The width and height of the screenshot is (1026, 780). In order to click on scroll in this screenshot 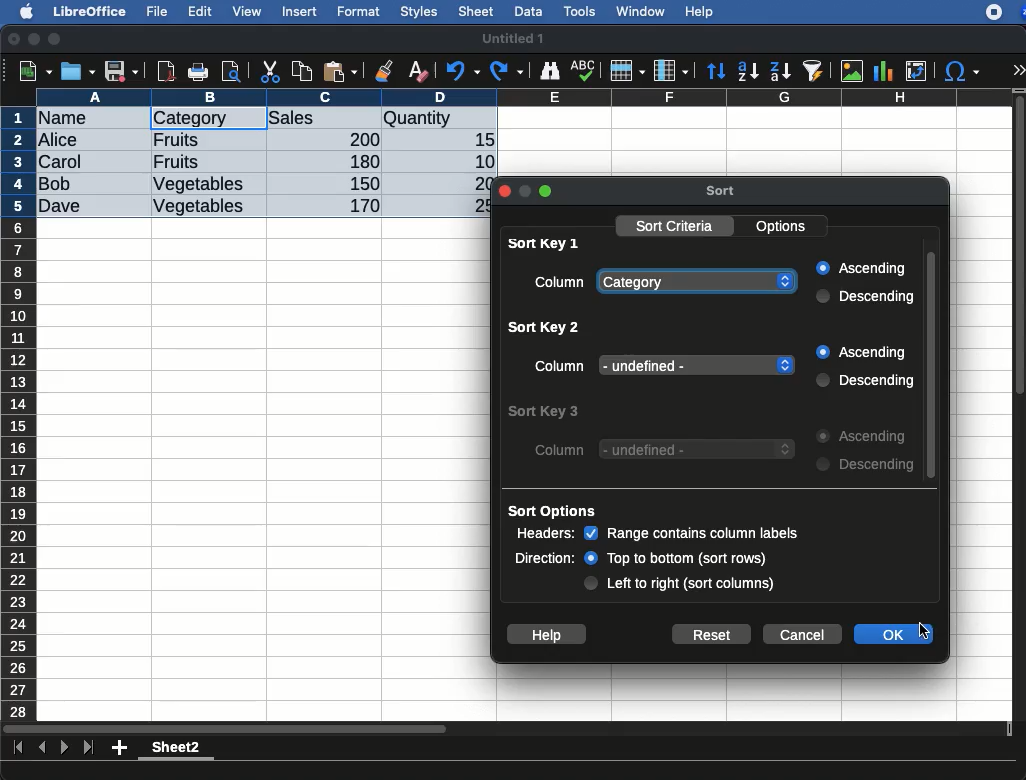, I will do `click(1021, 404)`.